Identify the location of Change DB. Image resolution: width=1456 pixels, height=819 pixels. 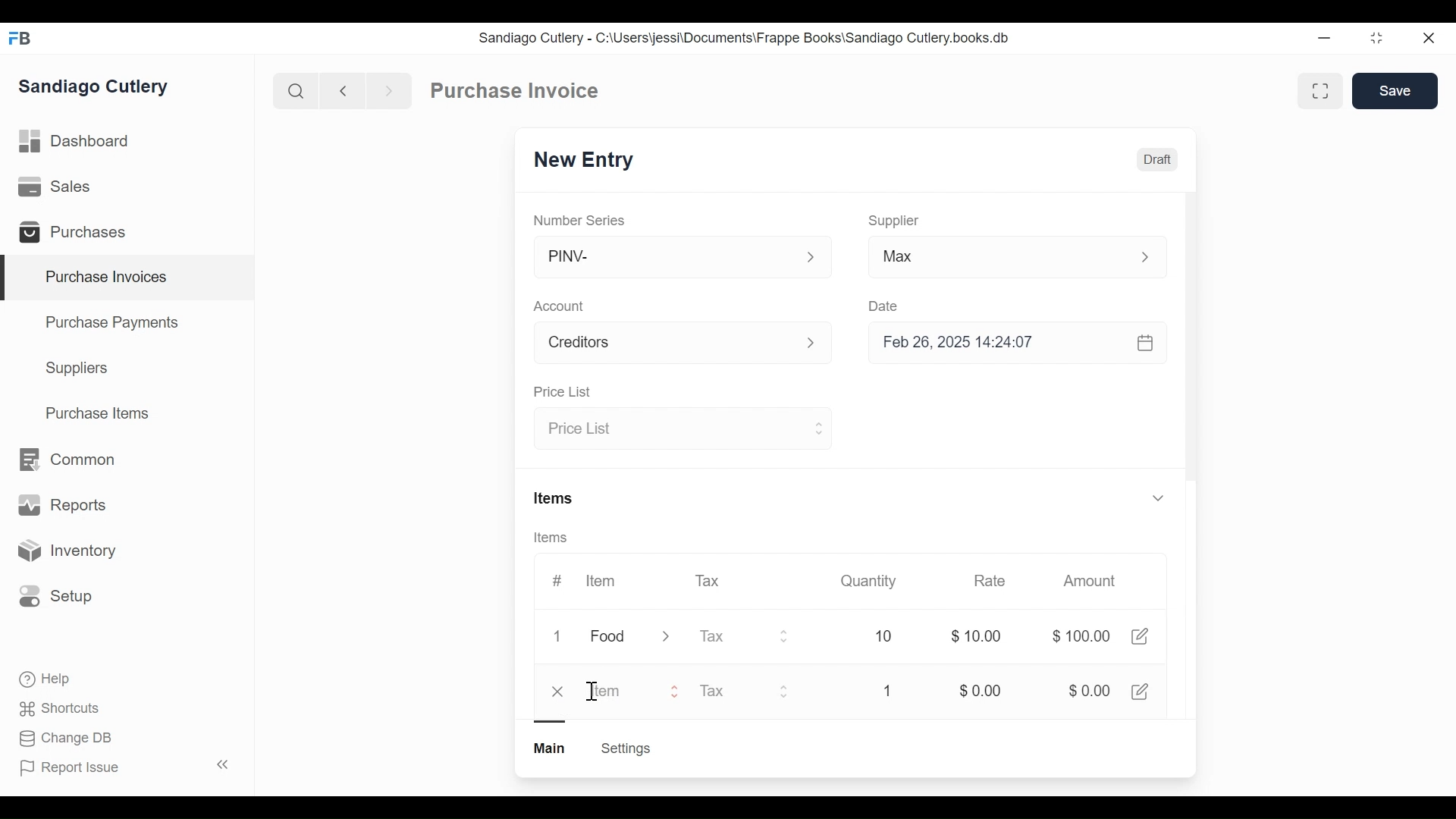
(68, 739).